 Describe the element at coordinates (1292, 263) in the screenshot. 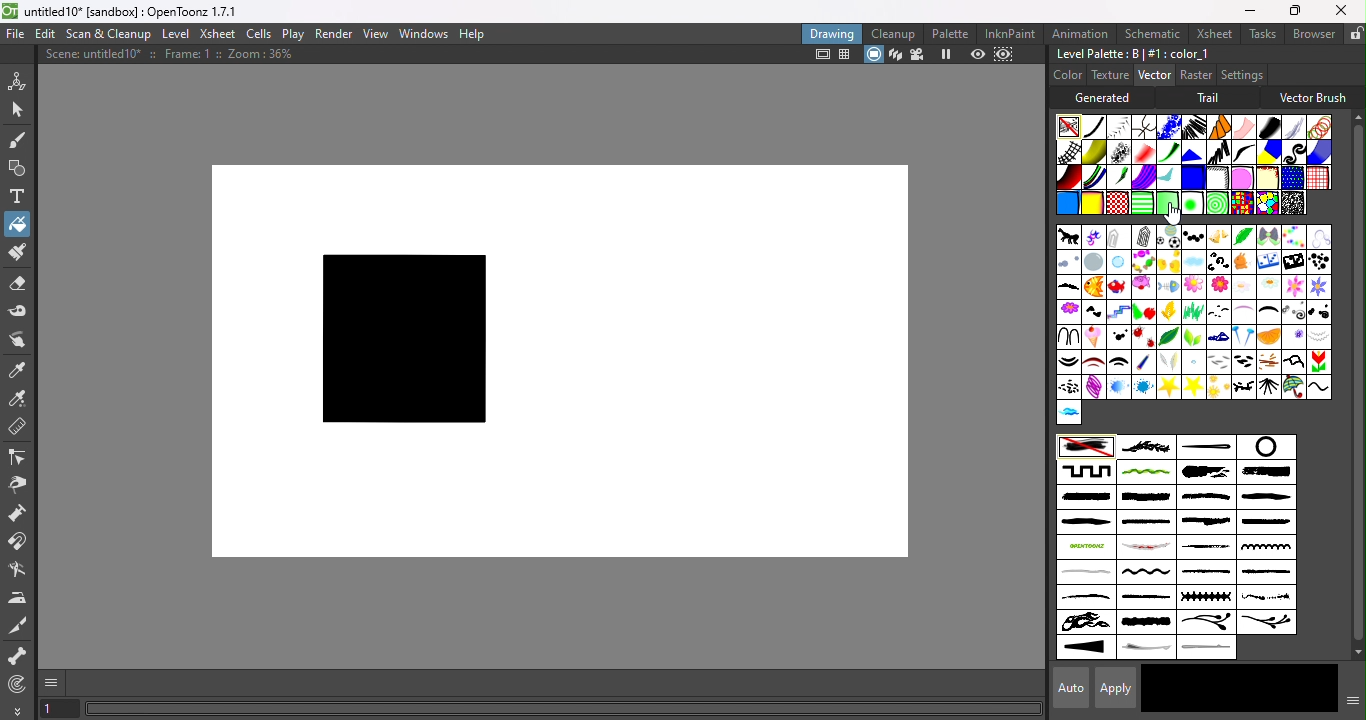

I see `Domino` at that location.